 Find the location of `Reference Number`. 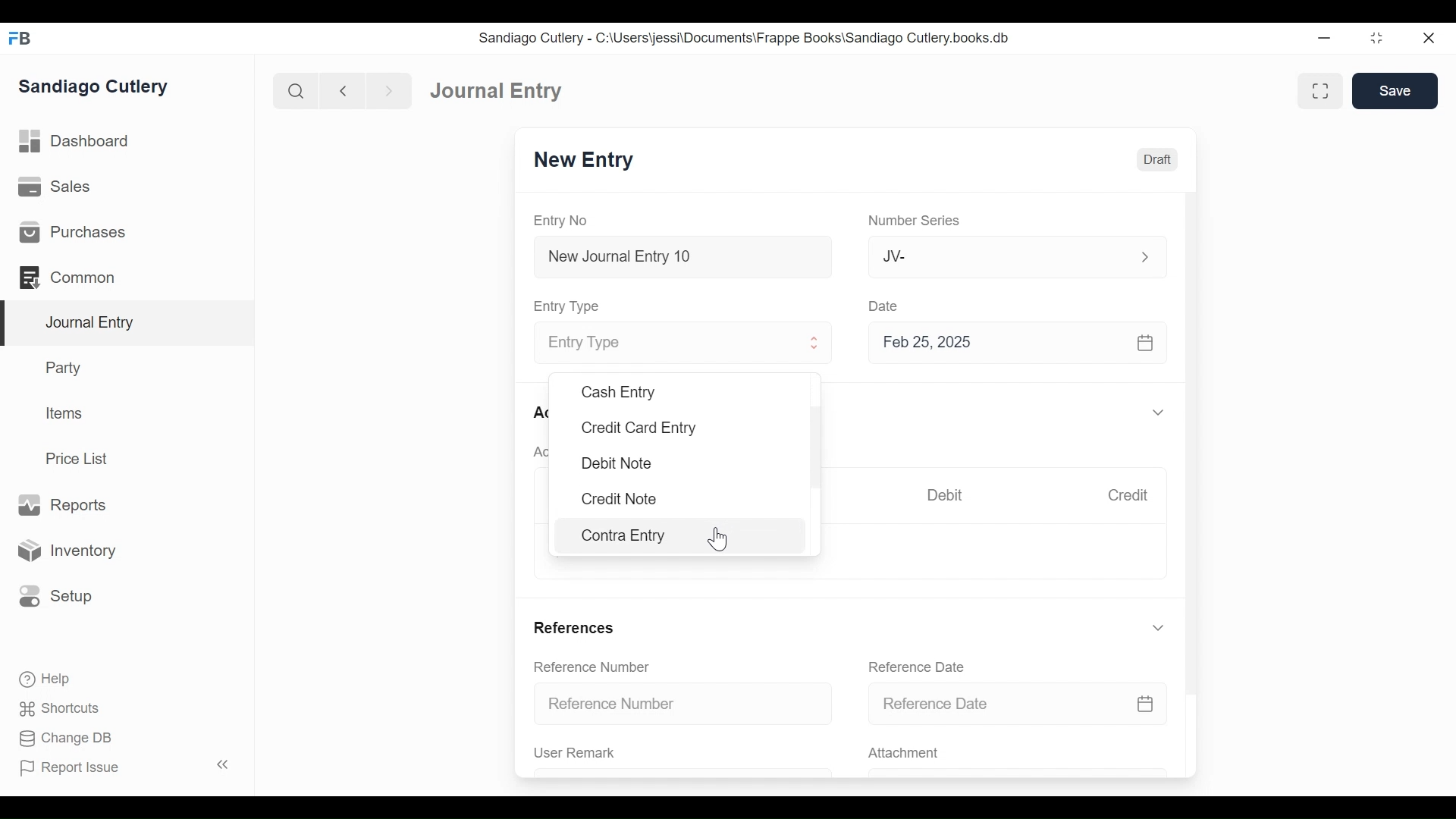

Reference Number is located at coordinates (595, 668).